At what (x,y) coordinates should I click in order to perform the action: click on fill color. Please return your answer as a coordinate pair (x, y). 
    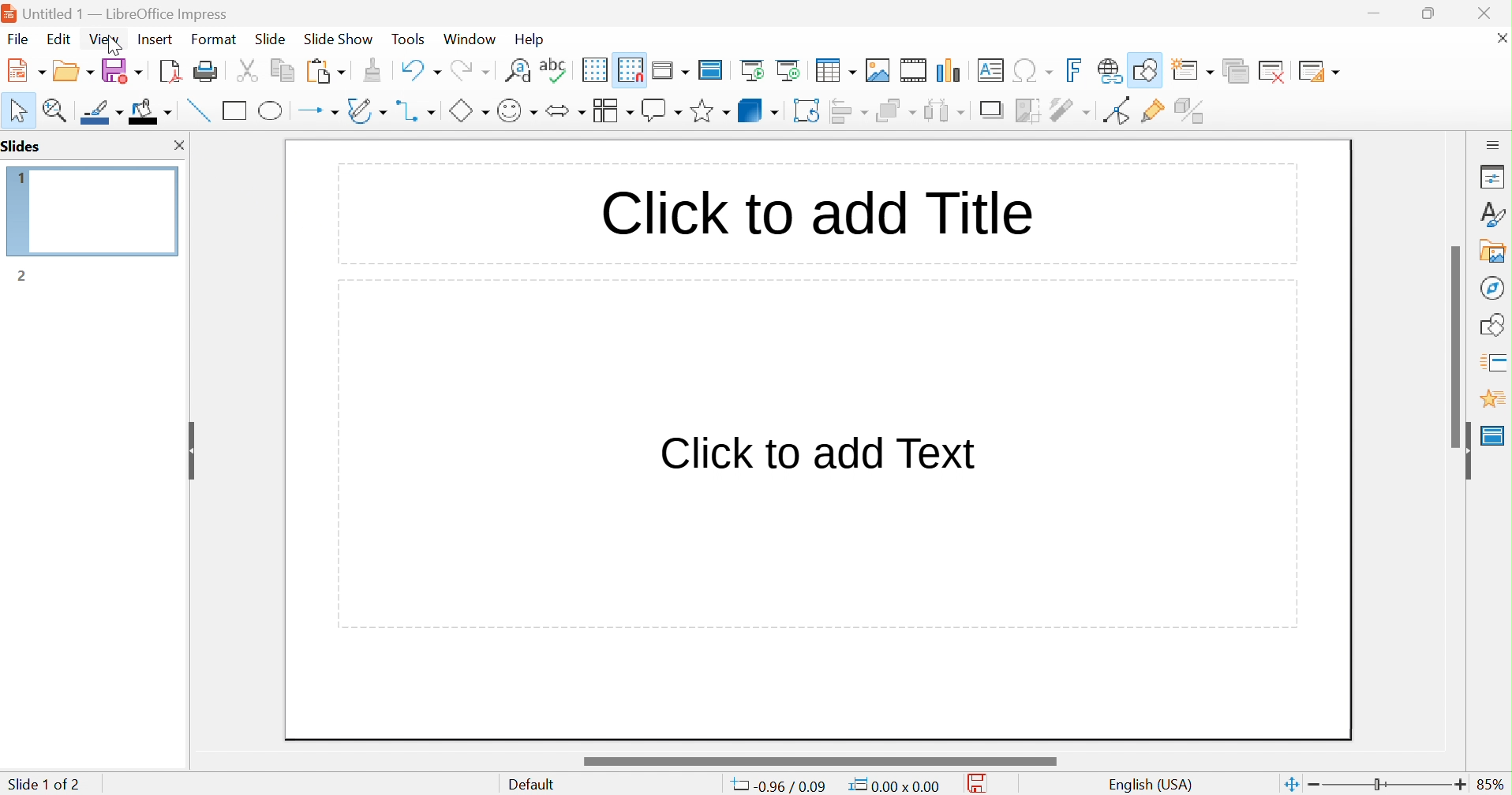
    Looking at the image, I should click on (151, 110).